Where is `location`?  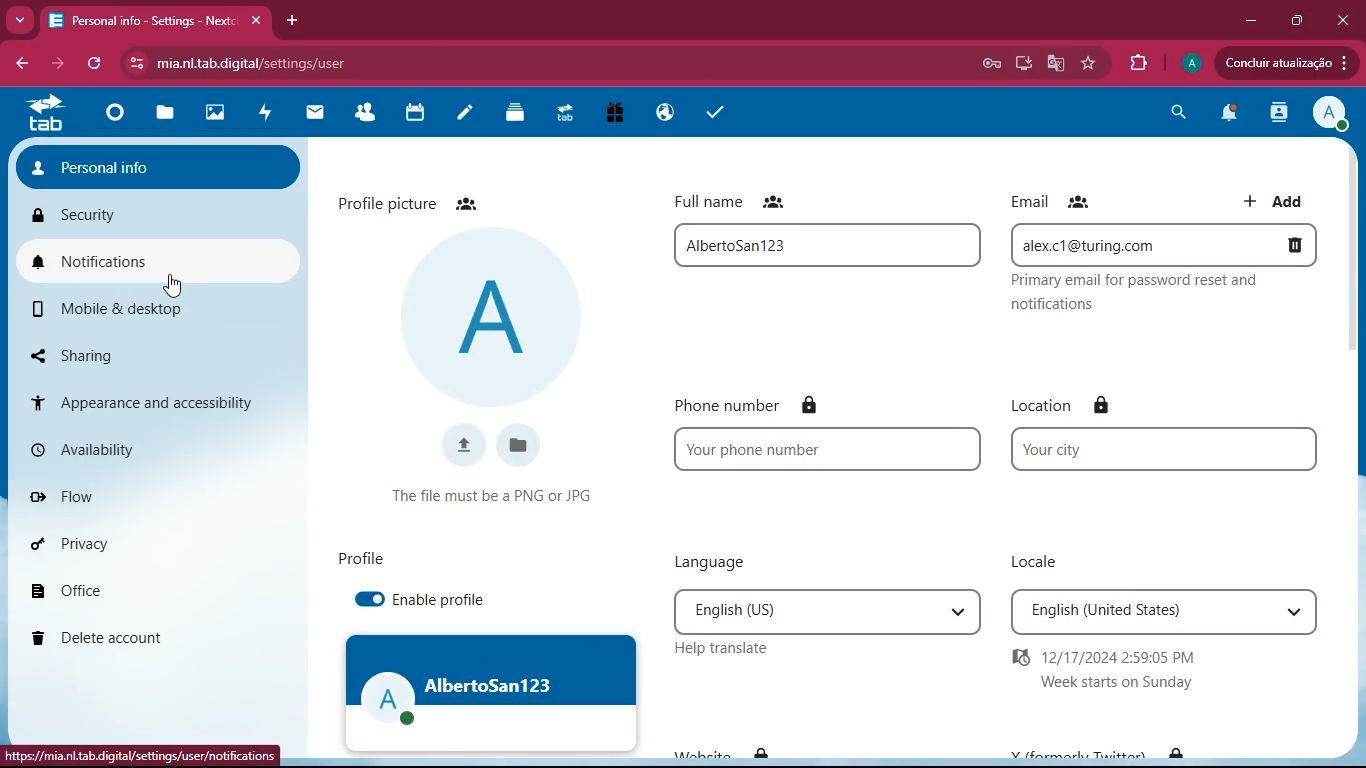
location is located at coordinates (1059, 403).